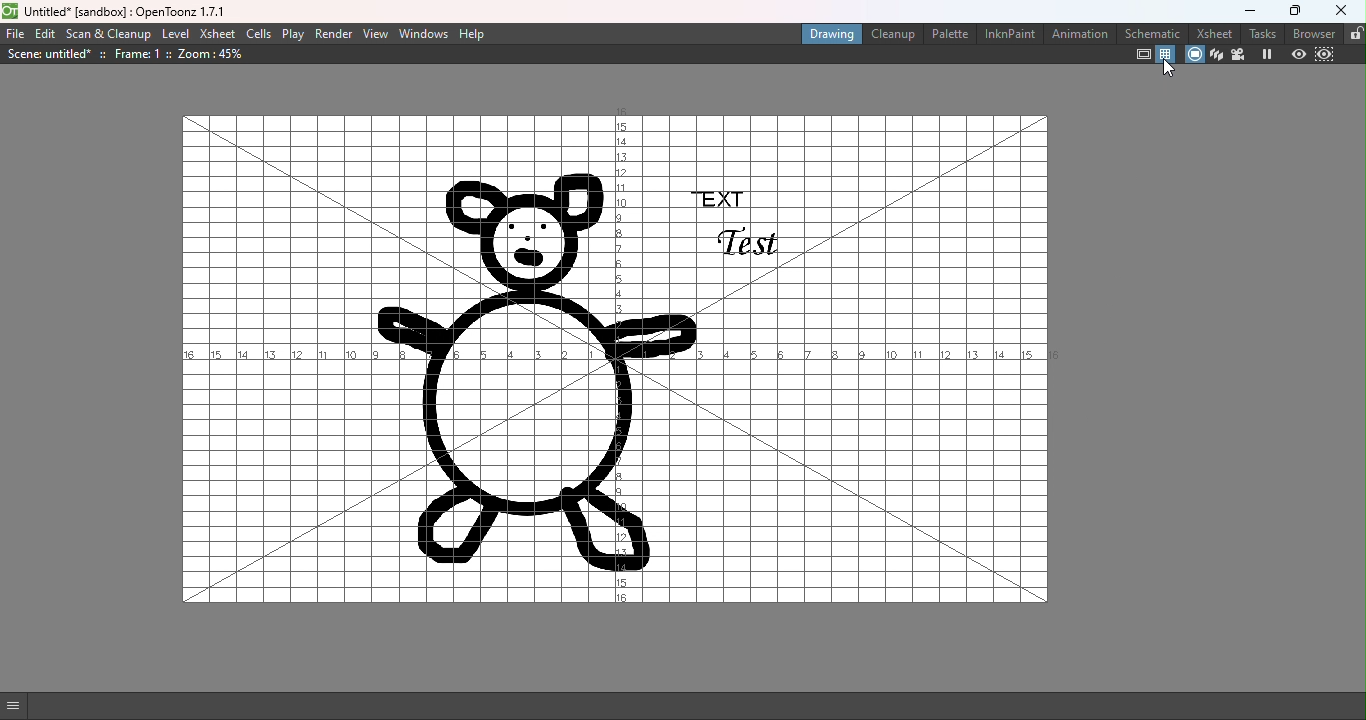 This screenshot has width=1366, height=720. I want to click on Level, so click(175, 36).